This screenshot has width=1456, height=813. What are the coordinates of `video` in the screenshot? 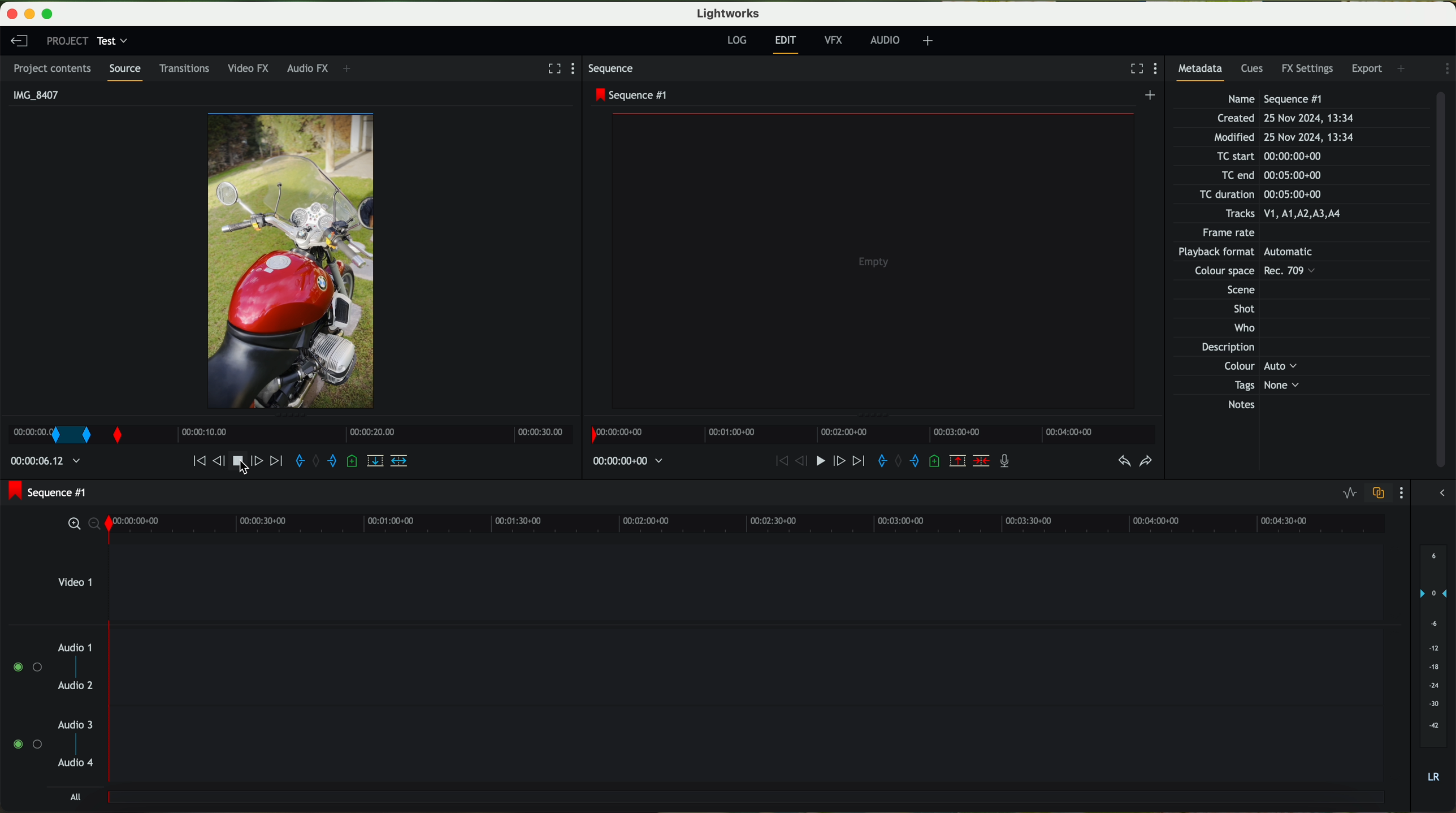 It's located at (284, 258).